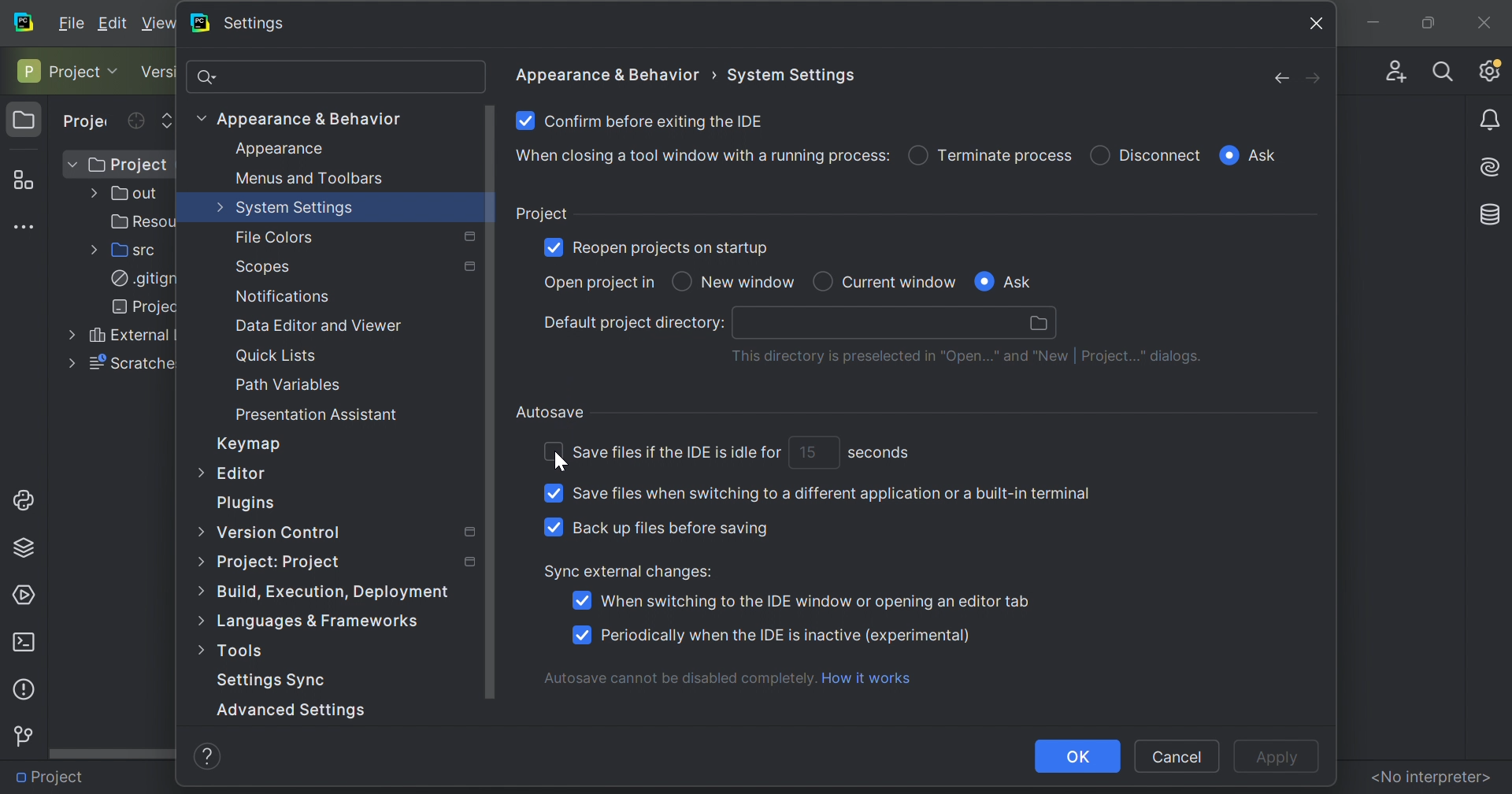 Image resolution: width=1512 pixels, height=794 pixels. I want to click on out, so click(130, 194).